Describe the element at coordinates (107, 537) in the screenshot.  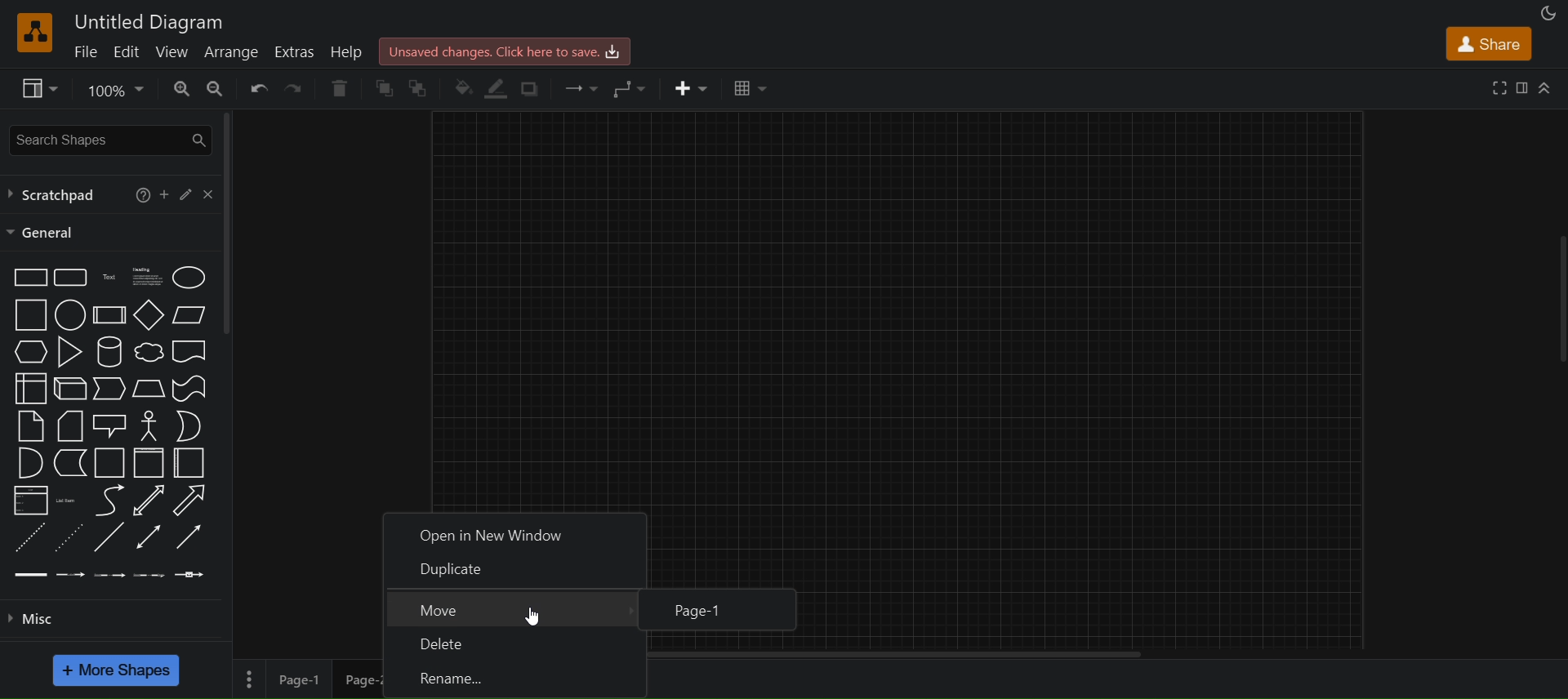
I see `line` at that location.